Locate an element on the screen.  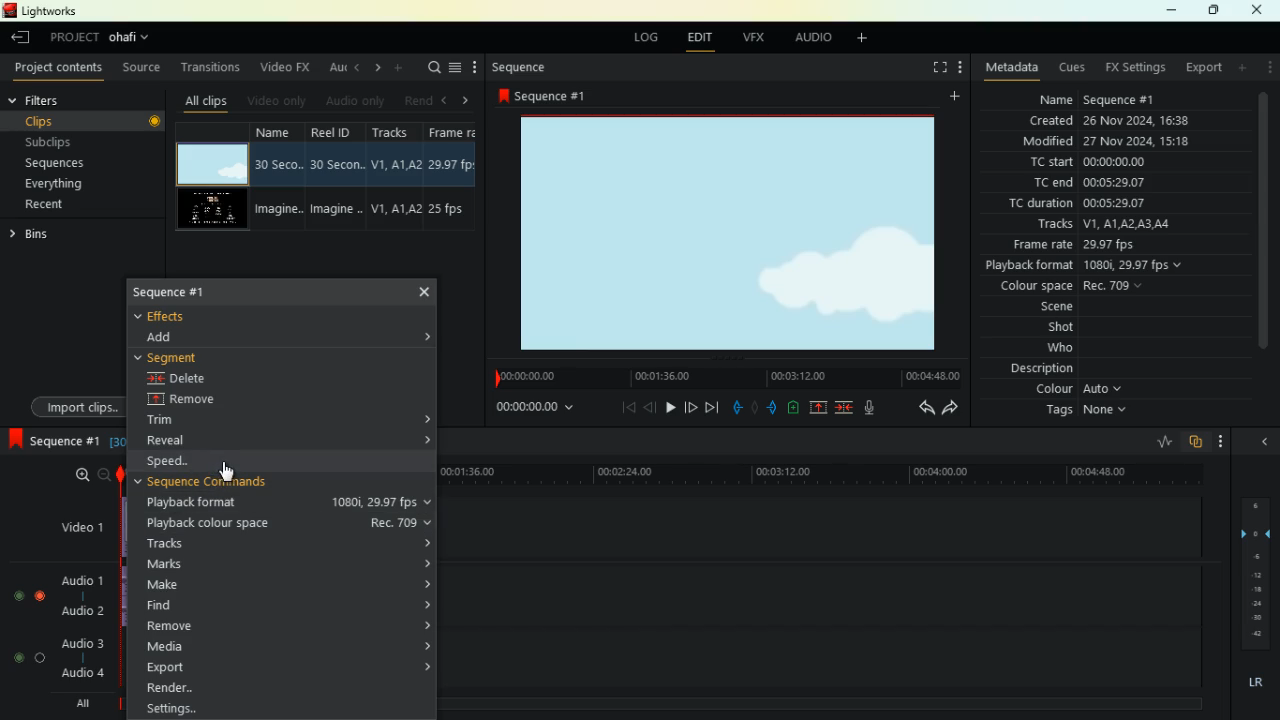
rend is located at coordinates (416, 100).